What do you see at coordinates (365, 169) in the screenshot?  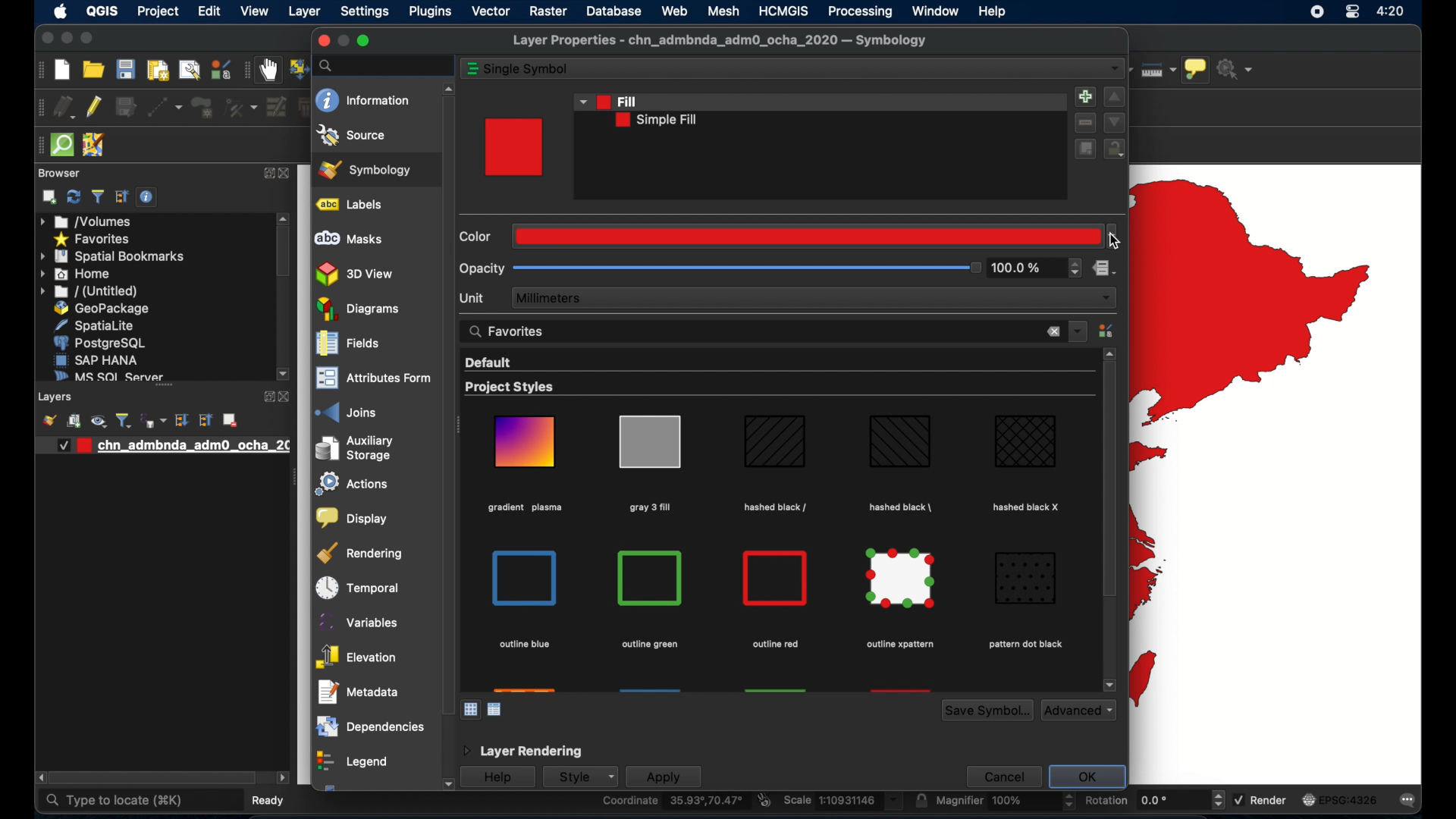 I see `symbology` at bounding box center [365, 169].